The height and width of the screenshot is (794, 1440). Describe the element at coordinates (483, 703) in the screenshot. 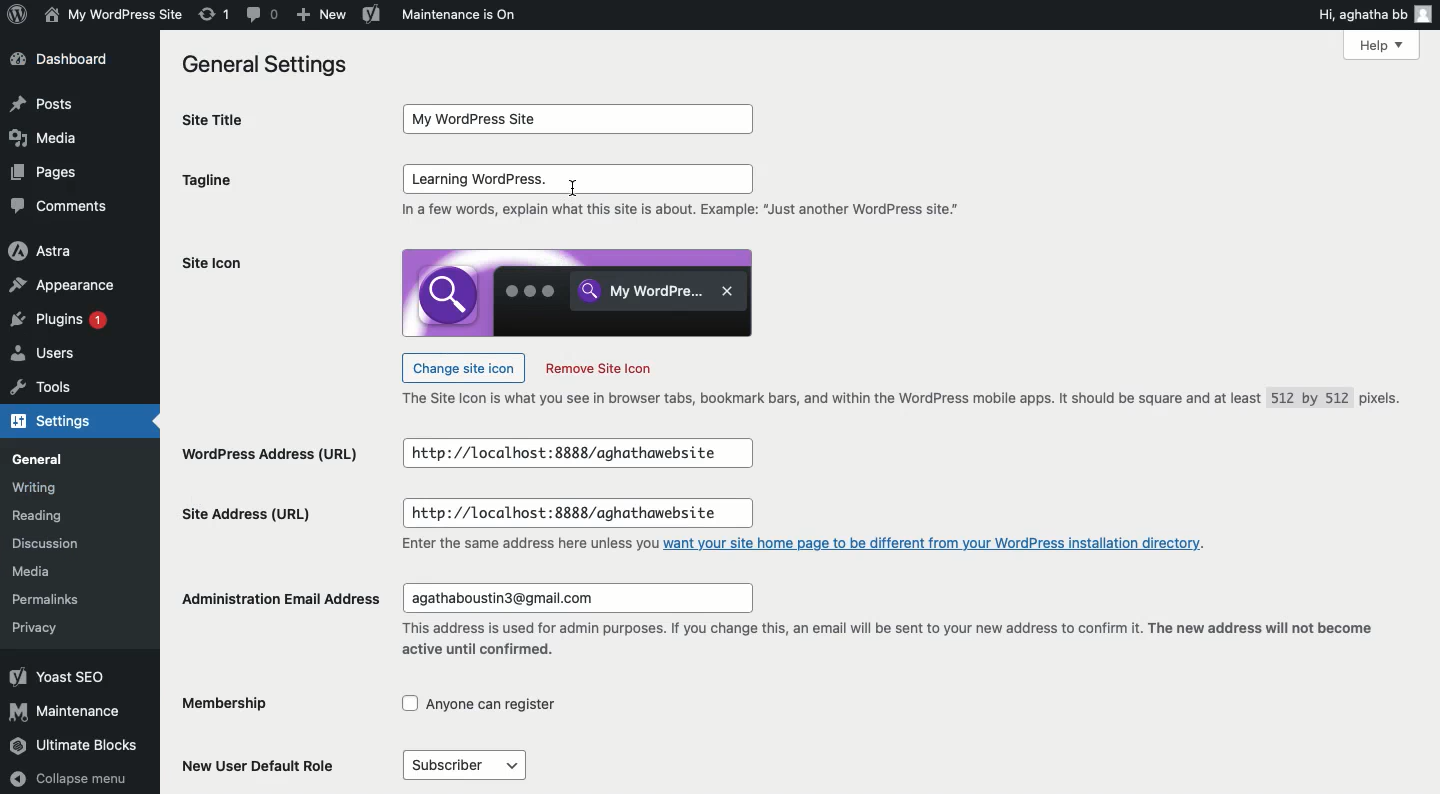

I see `checkbox` at that location.